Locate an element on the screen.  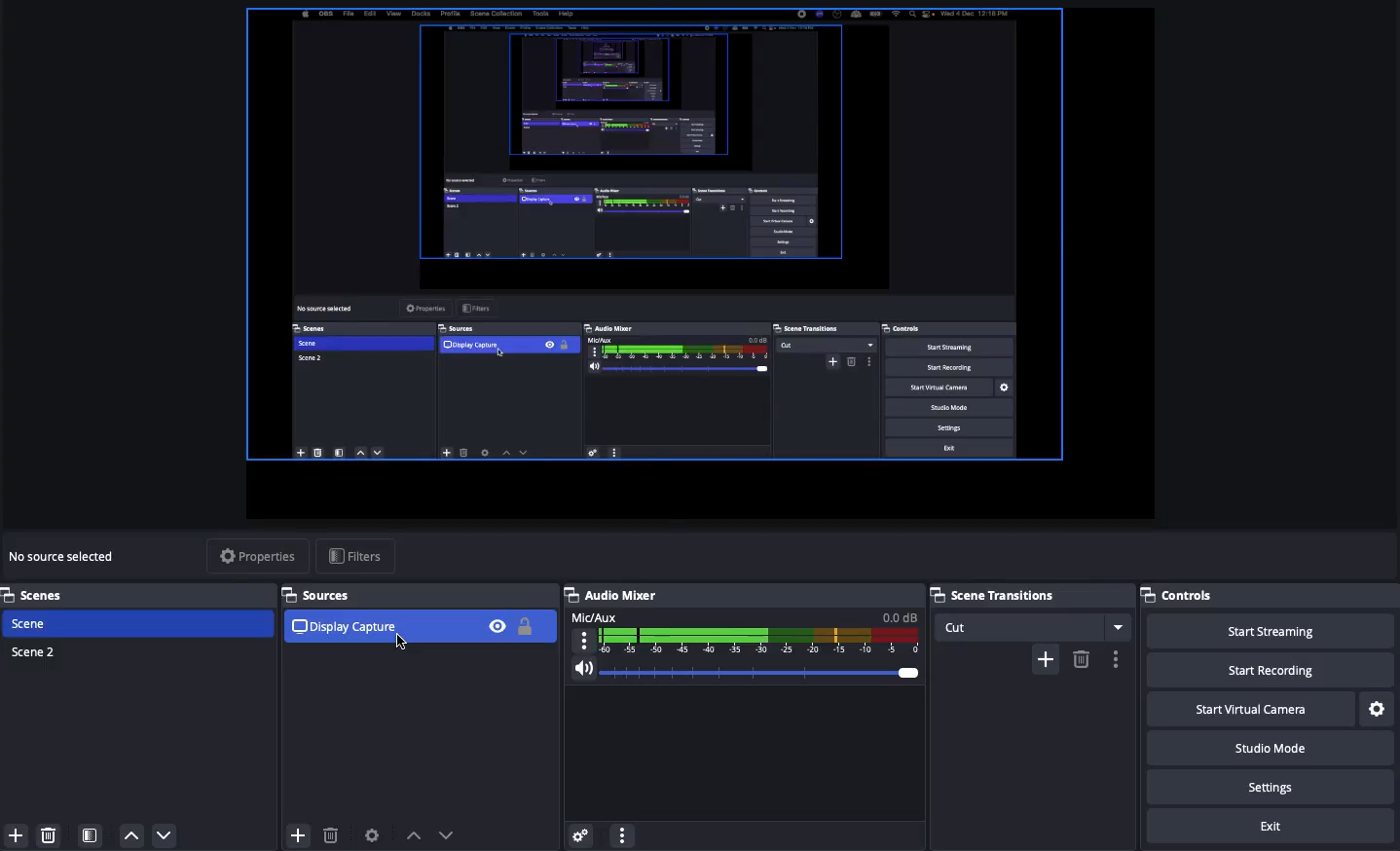
Settings is located at coordinates (1269, 786).